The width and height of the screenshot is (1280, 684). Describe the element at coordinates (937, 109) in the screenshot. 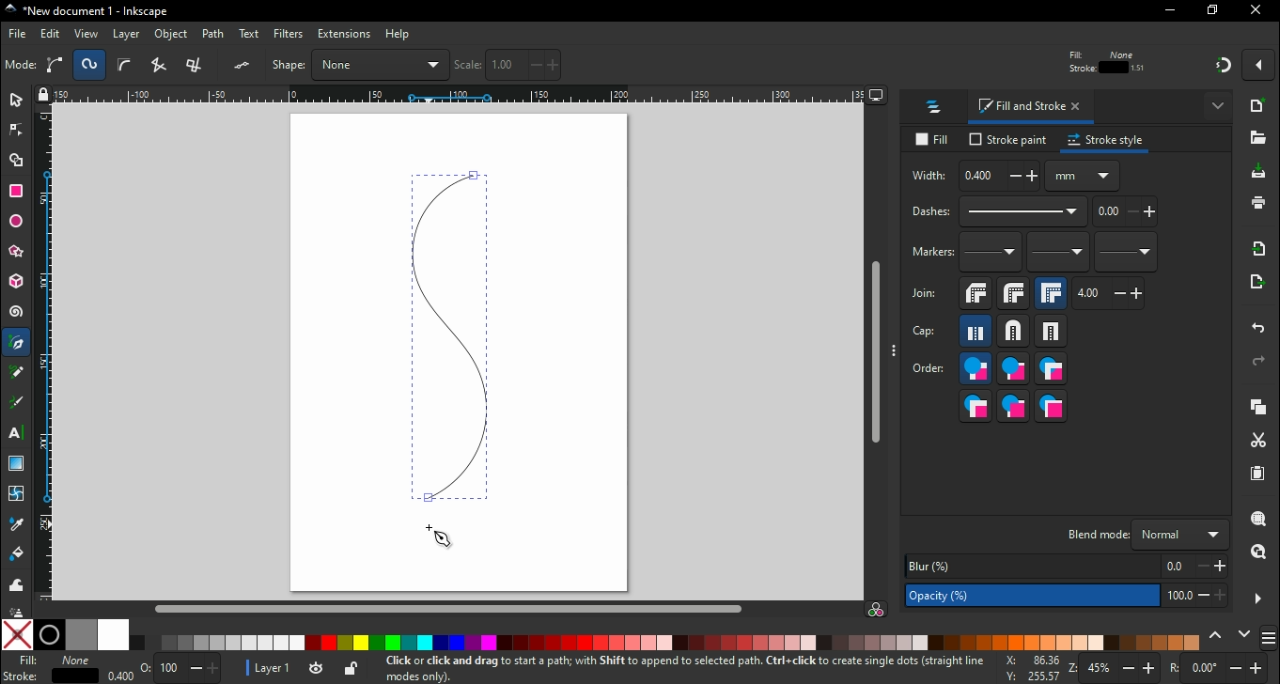

I see `layers and objects` at that location.